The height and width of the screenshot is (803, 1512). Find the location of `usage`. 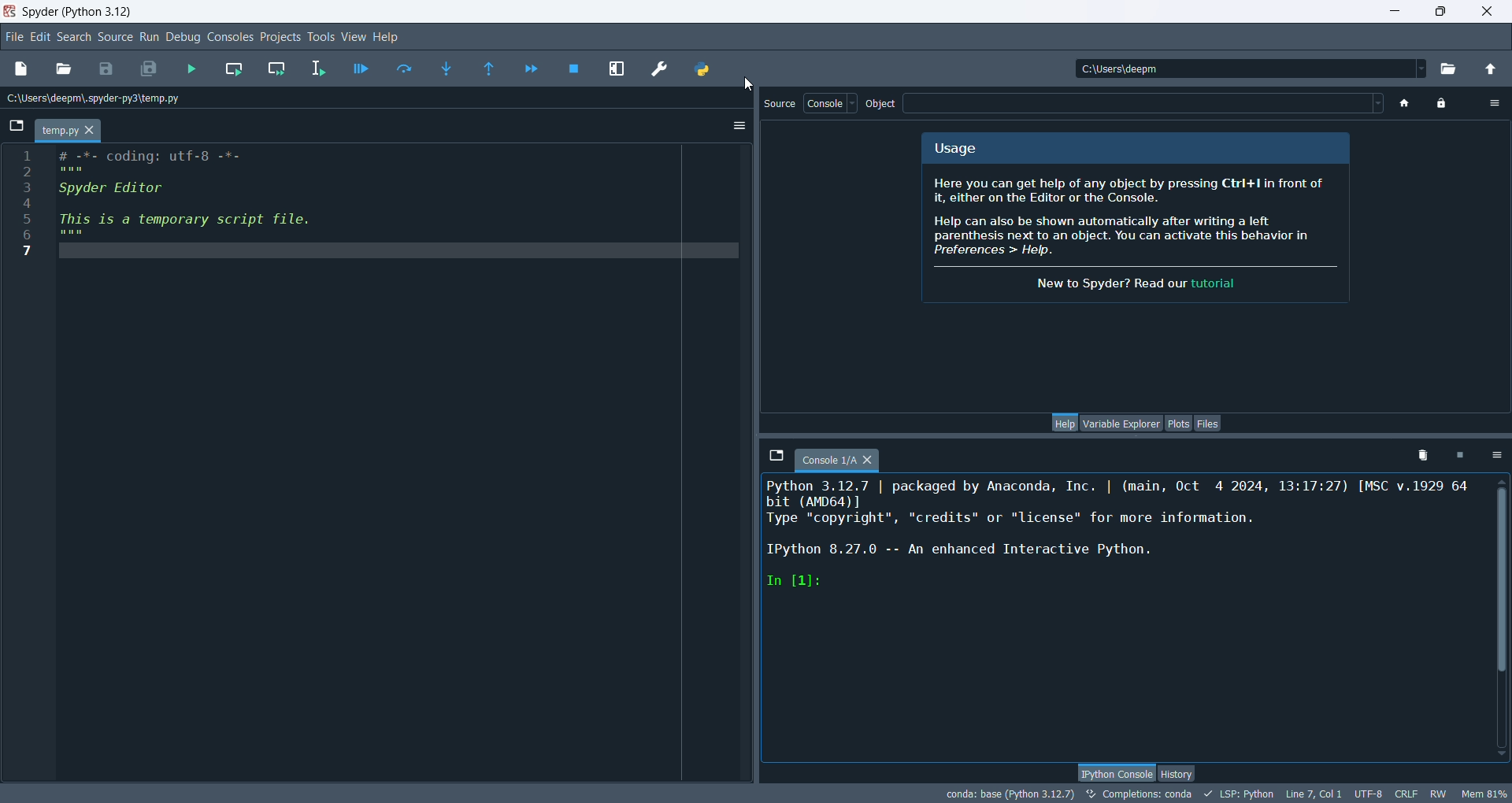

usage is located at coordinates (1138, 147).